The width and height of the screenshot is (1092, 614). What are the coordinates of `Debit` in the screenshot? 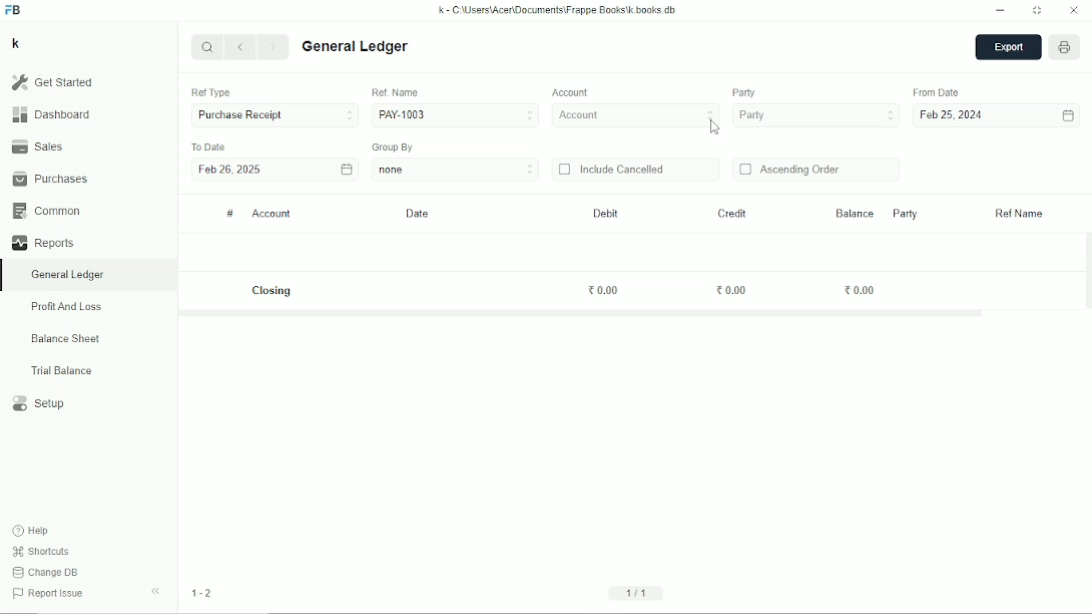 It's located at (606, 213).